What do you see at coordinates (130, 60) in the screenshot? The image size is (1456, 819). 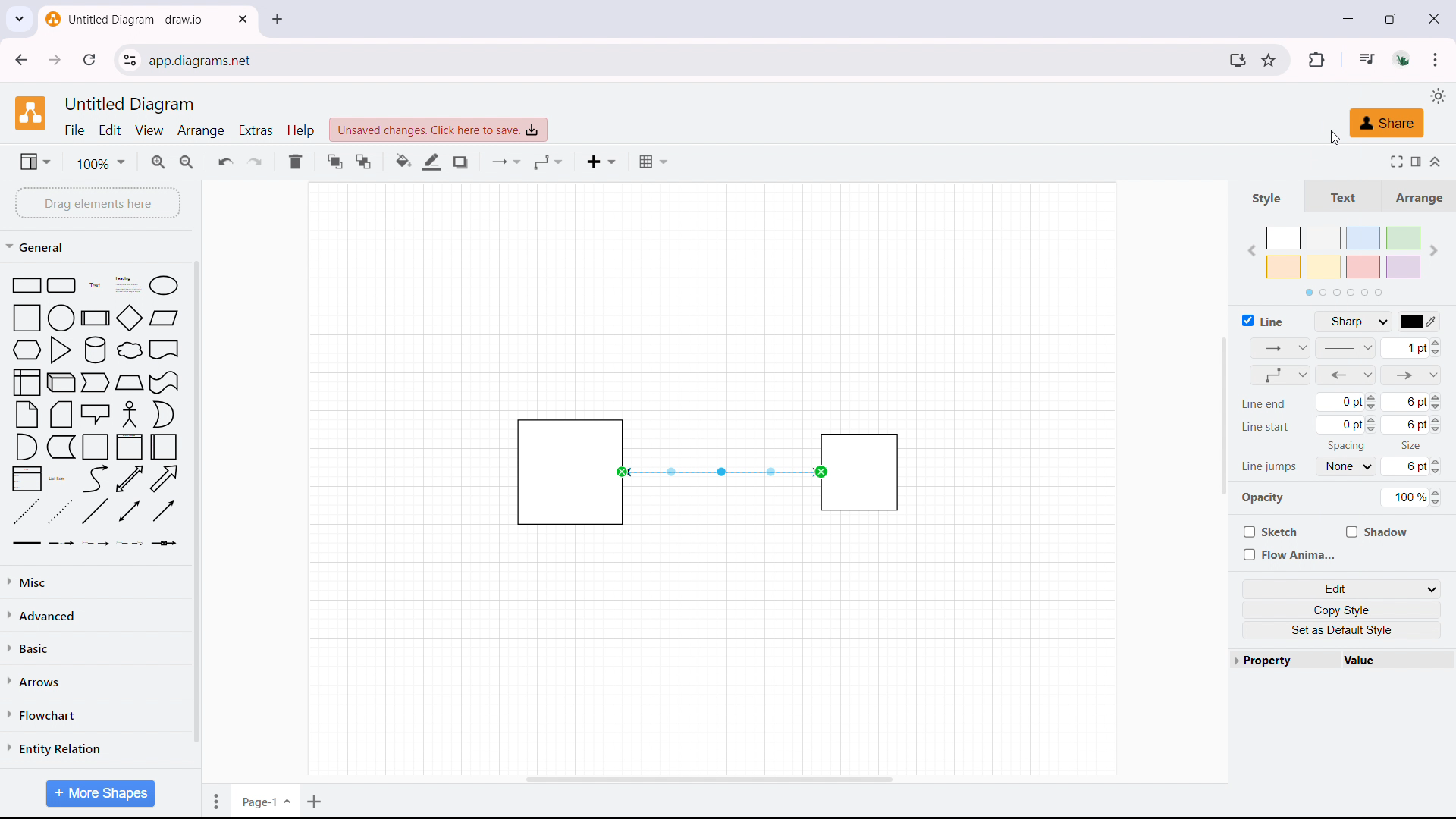 I see `view site information` at bounding box center [130, 60].